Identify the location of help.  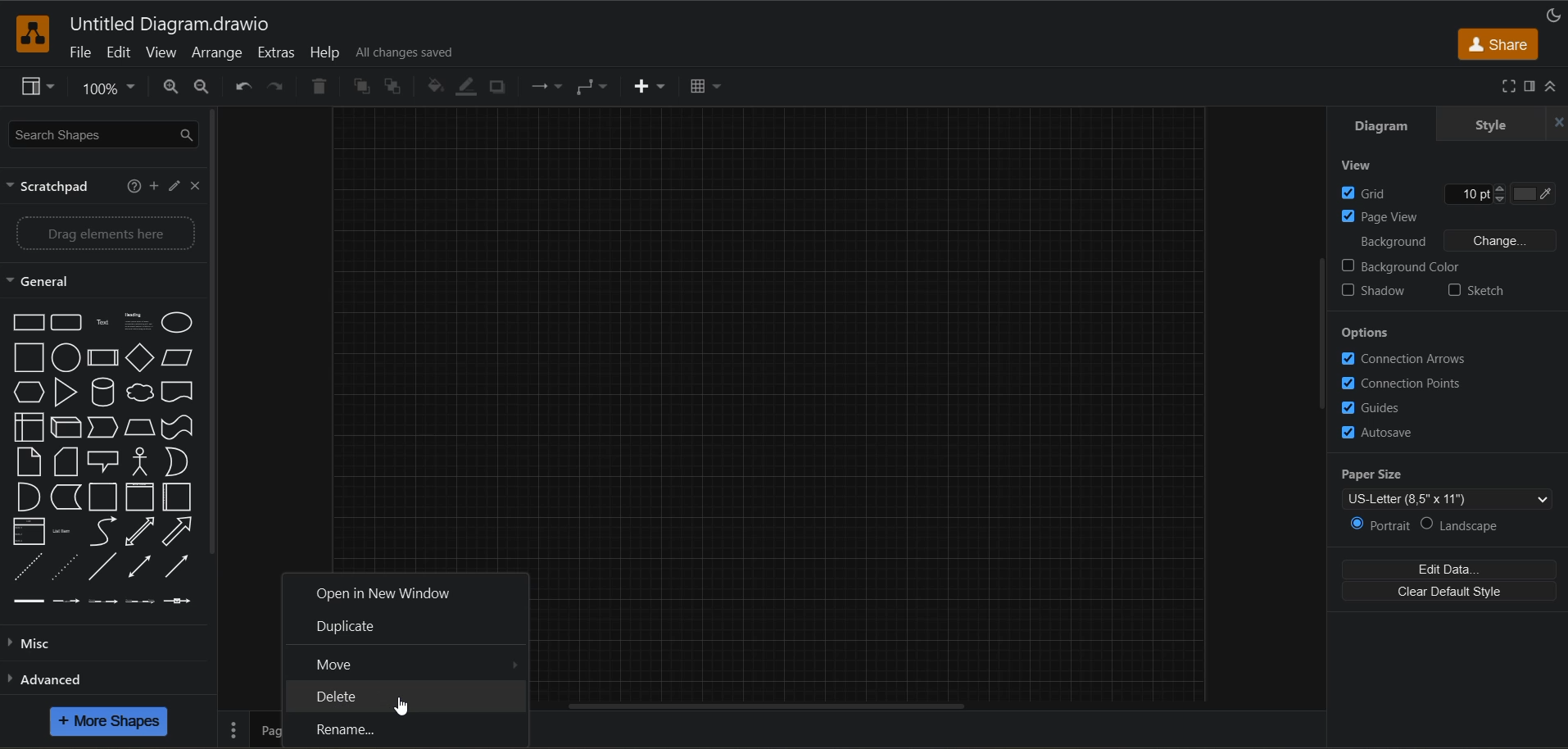
(131, 186).